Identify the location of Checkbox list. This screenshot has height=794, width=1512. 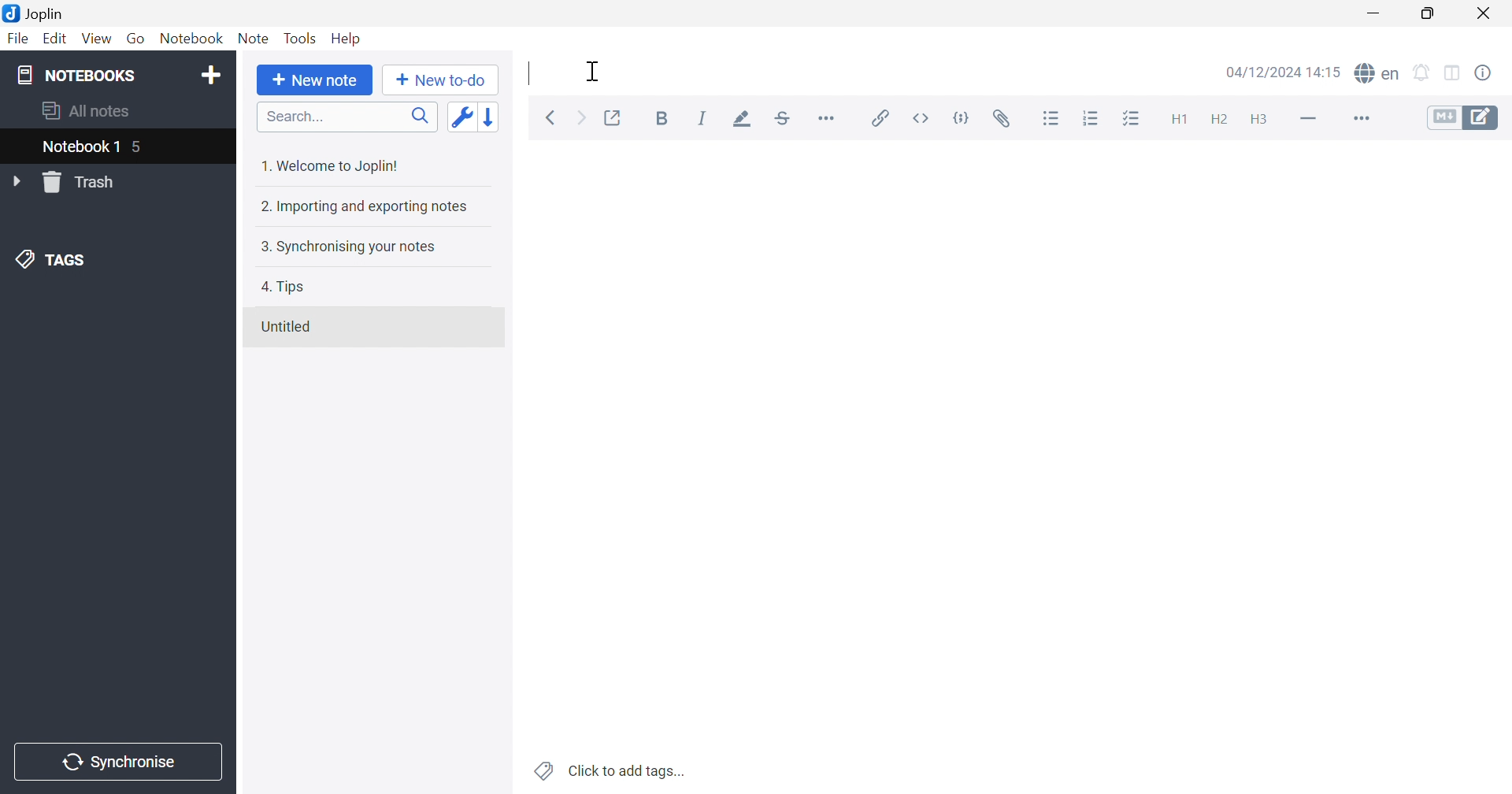
(1130, 120).